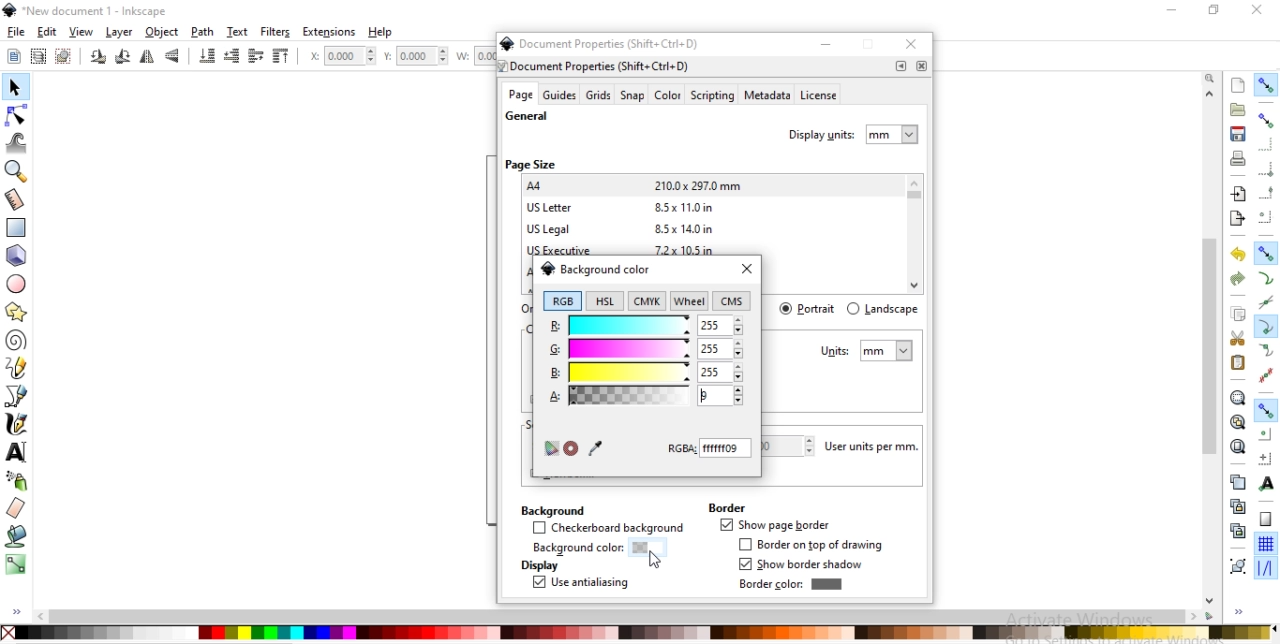 The image size is (1280, 644). Describe the element at coordinates (766, 96) in the screenshot. I see `metadata` at that location.